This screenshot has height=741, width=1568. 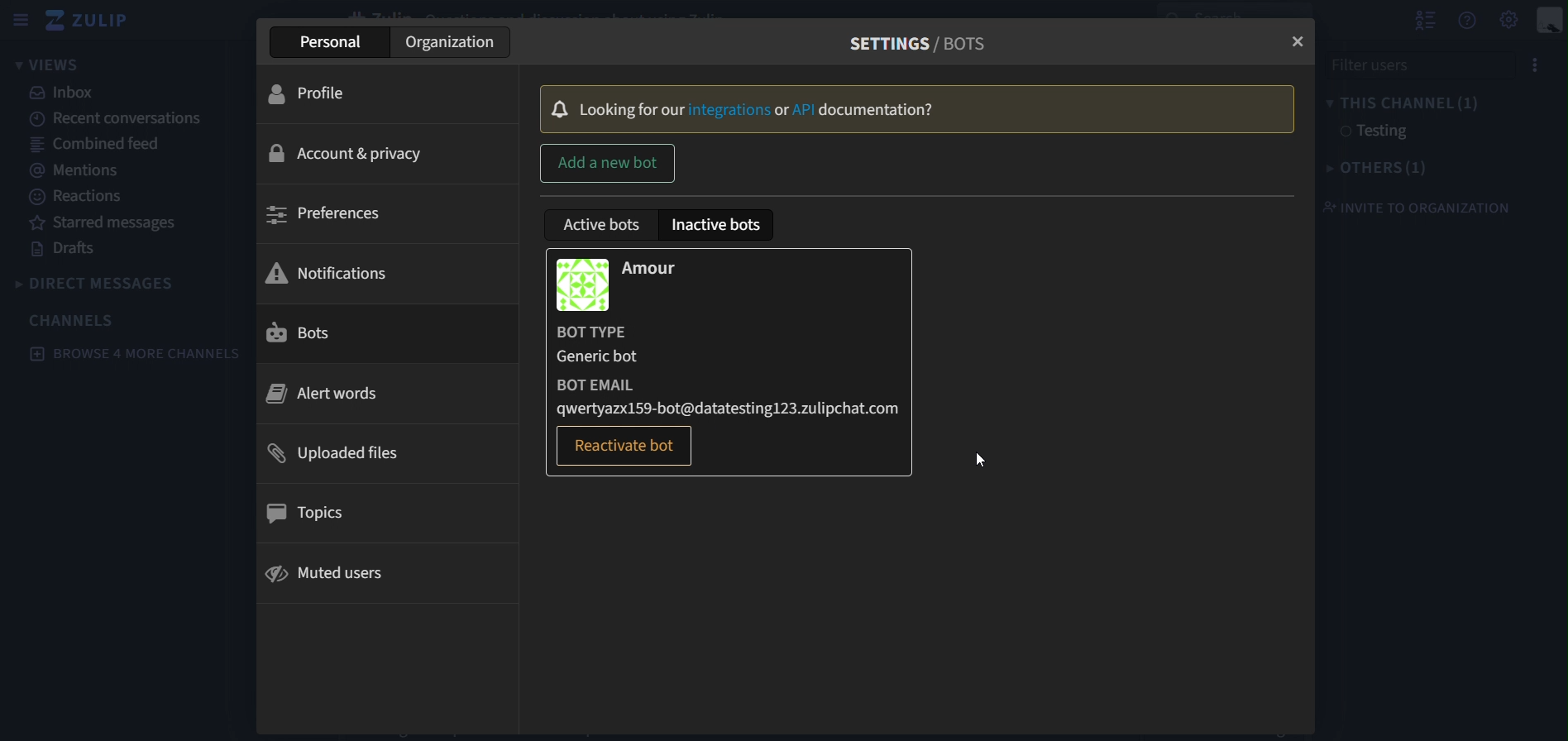 What do you see at coordinates (1551, 22) in the screenshot?
I see `personal menu` at bounding box center [1551, 22].